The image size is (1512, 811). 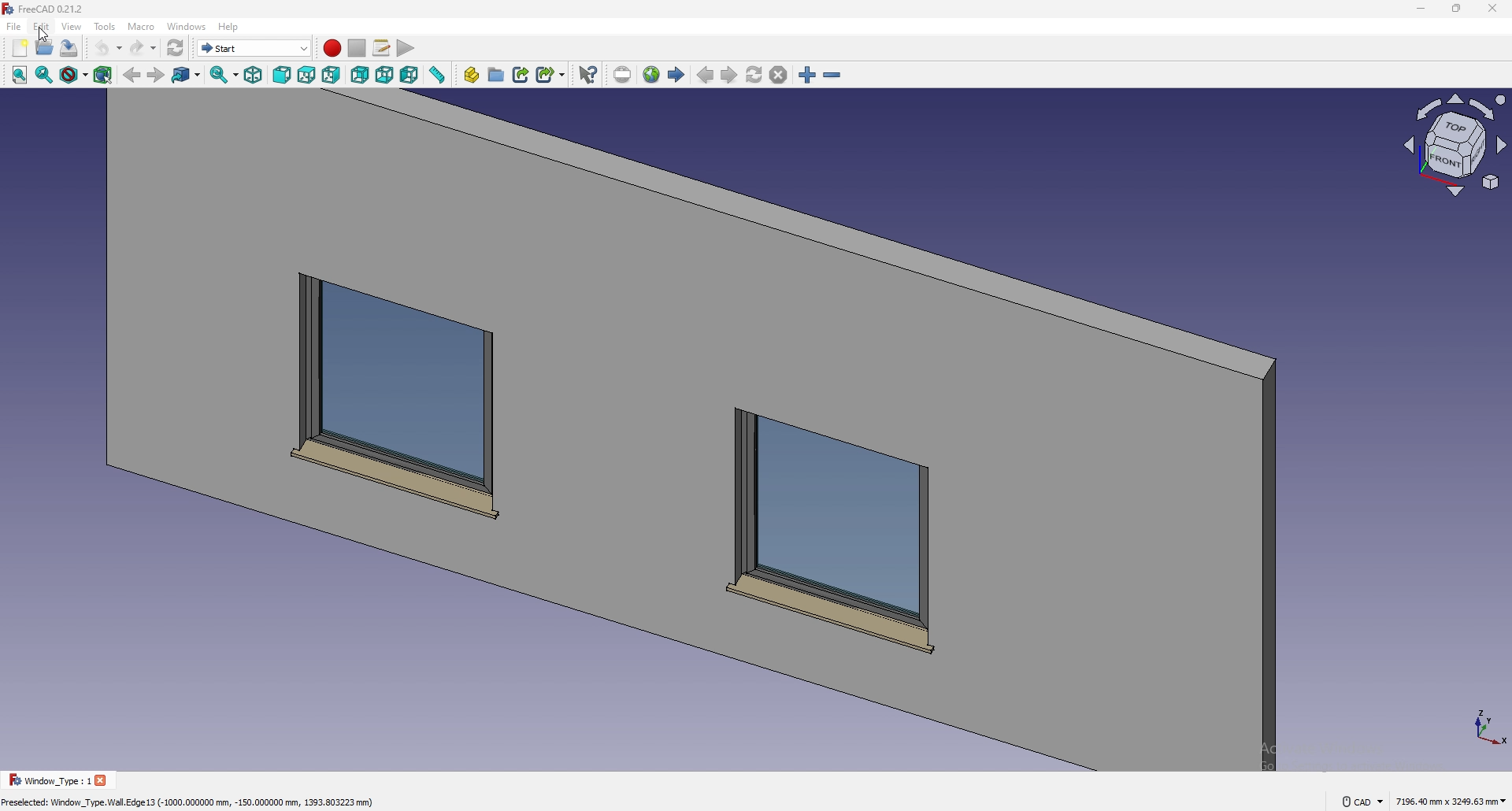 I want to click on set url, so click(x=622, y=75).